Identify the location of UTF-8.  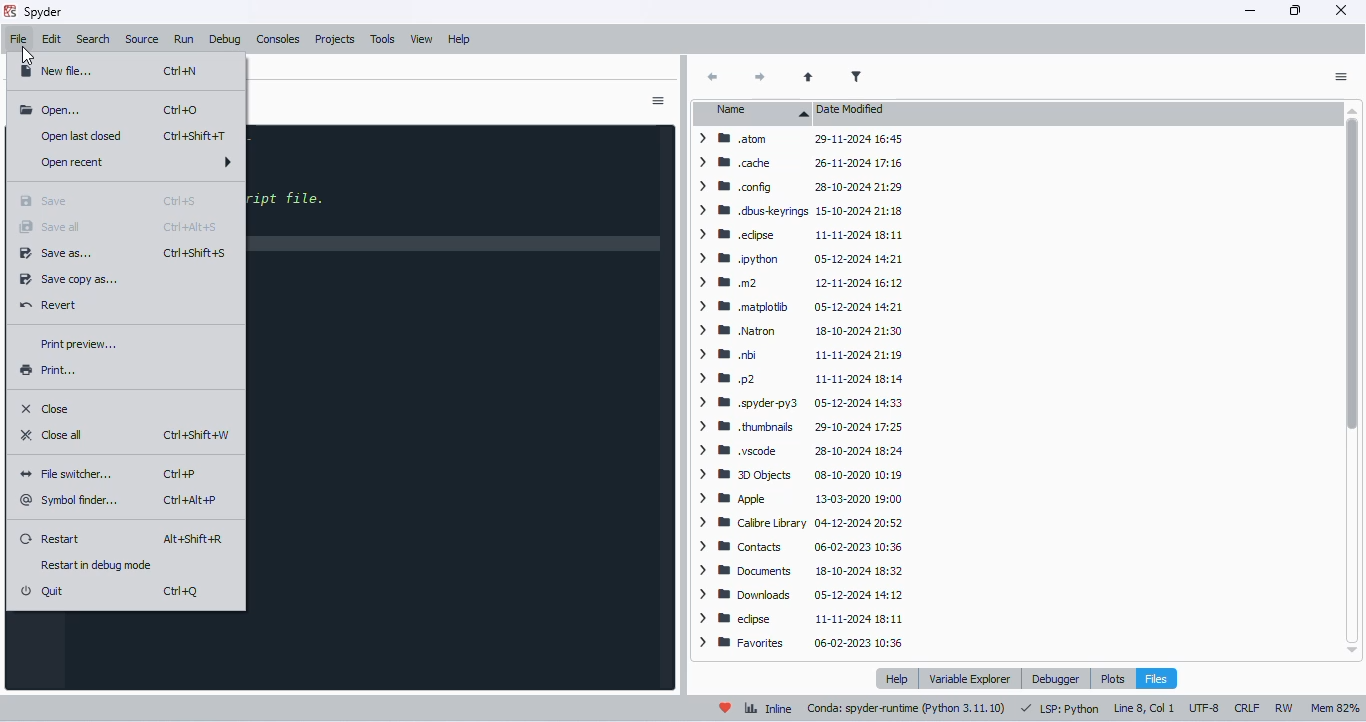
(1205, 709).